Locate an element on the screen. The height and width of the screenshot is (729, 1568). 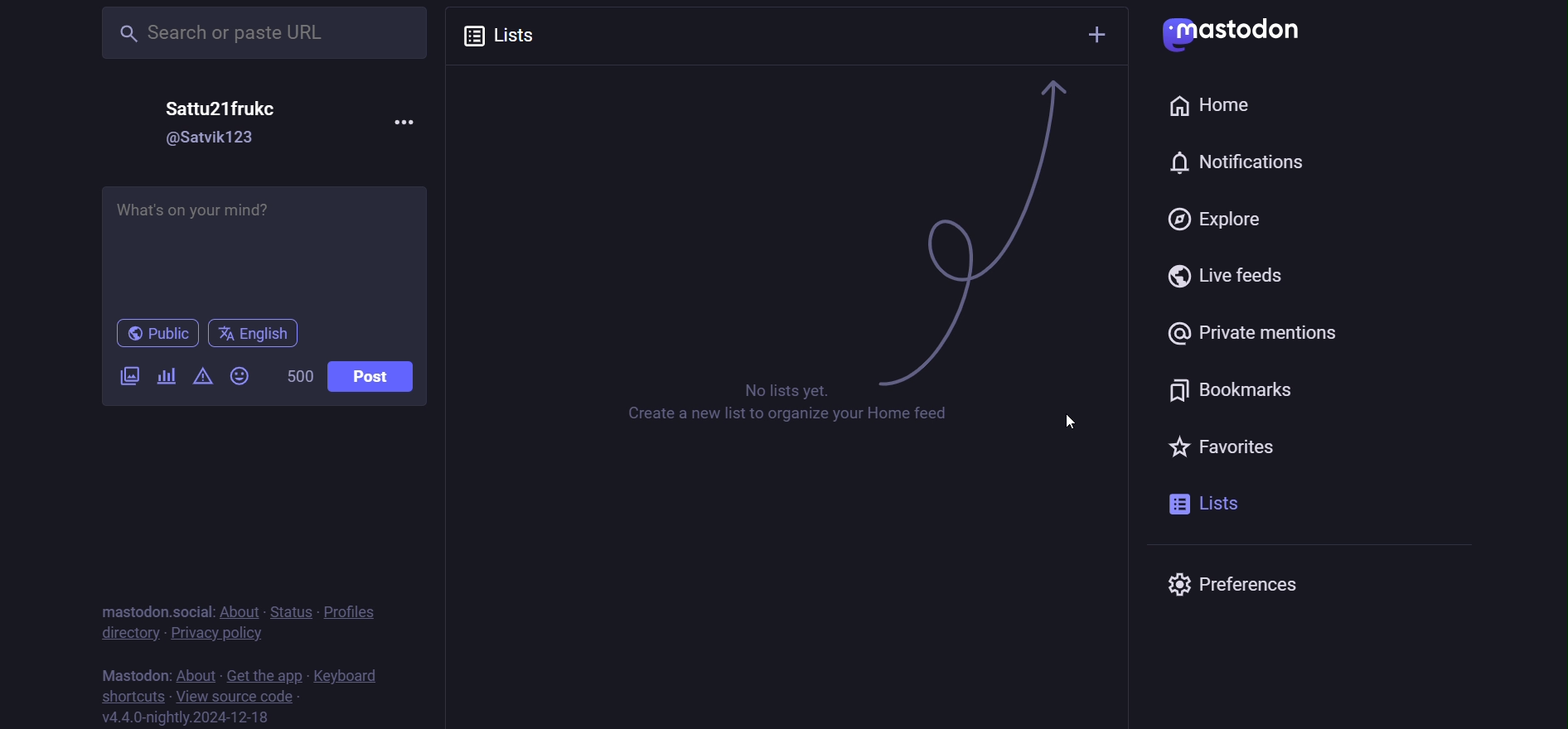
list deleted is located at coordinates (786, 214).